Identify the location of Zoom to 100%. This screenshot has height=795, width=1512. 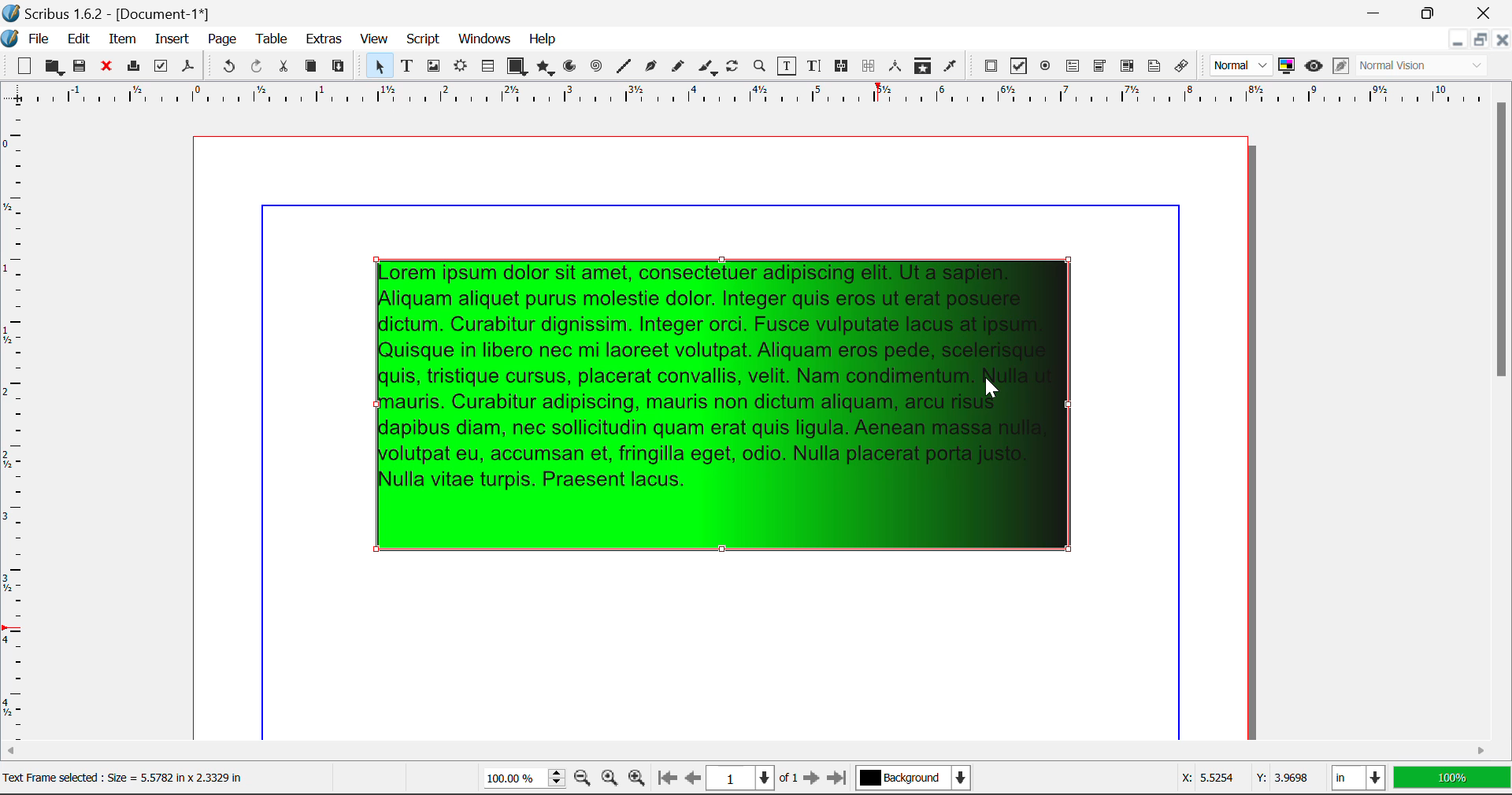
(610, 780).